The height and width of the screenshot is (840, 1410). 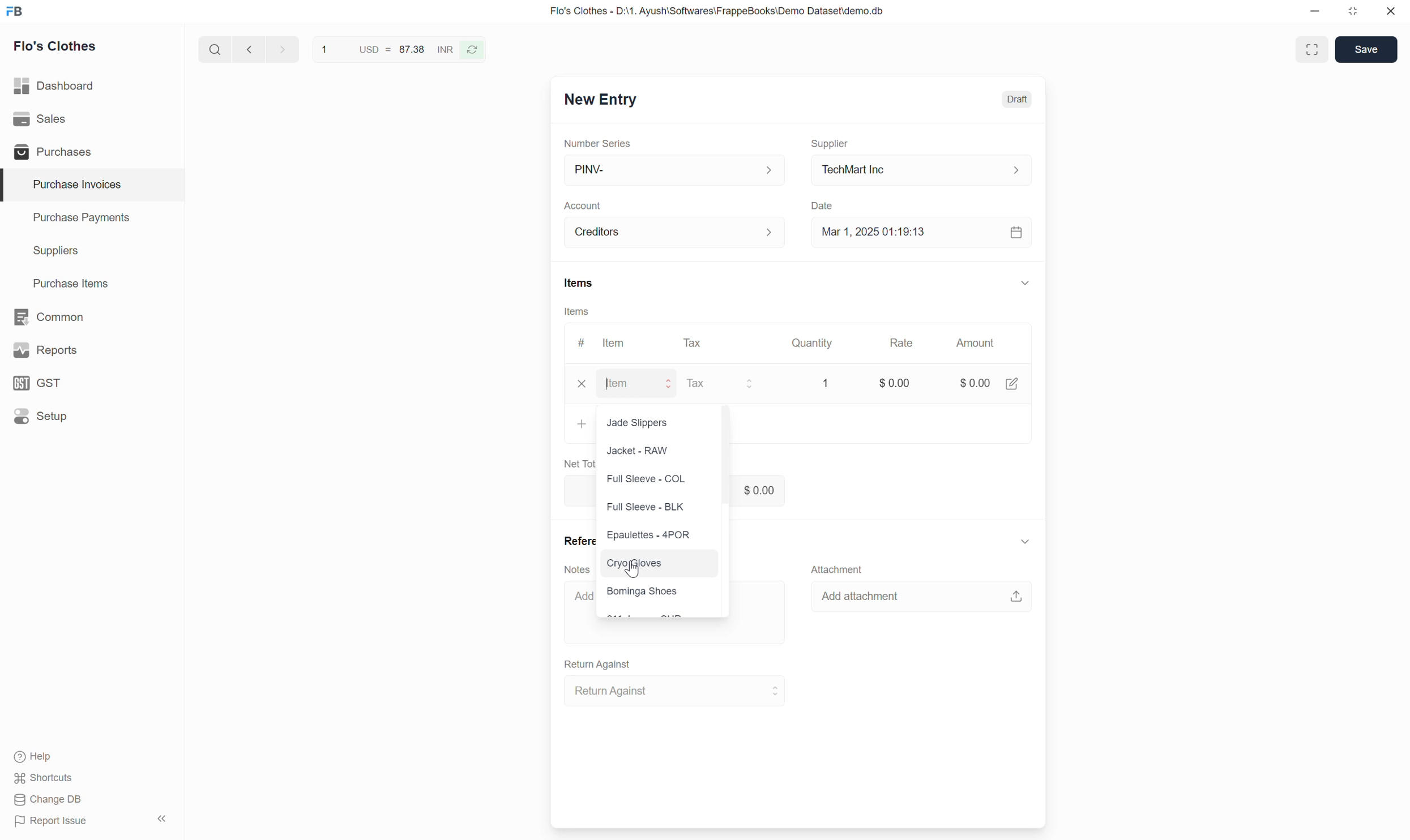 I want to click on minimize, so click(x=1315, y=14).